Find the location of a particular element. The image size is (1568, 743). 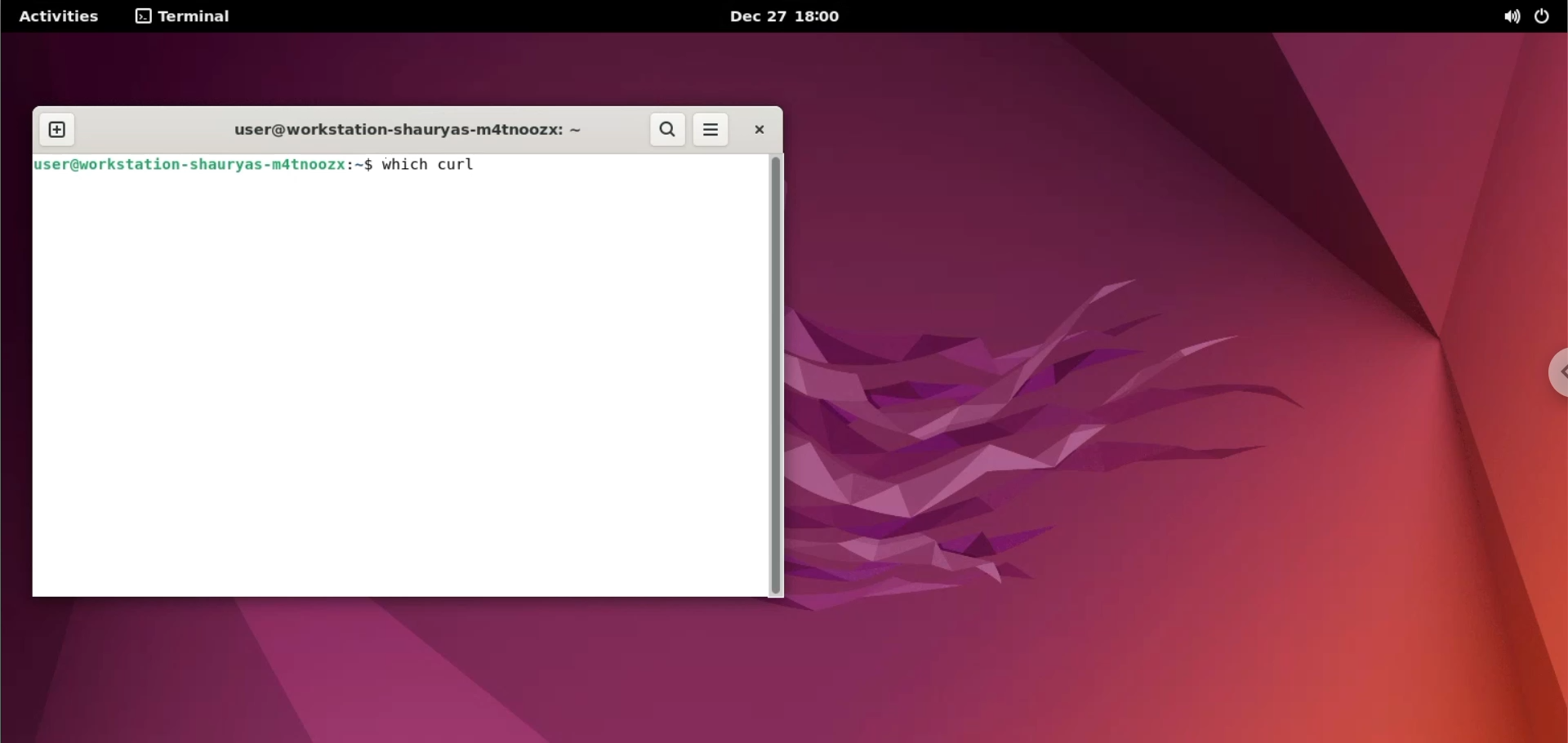

Activities is located at coordinates (60, 16).